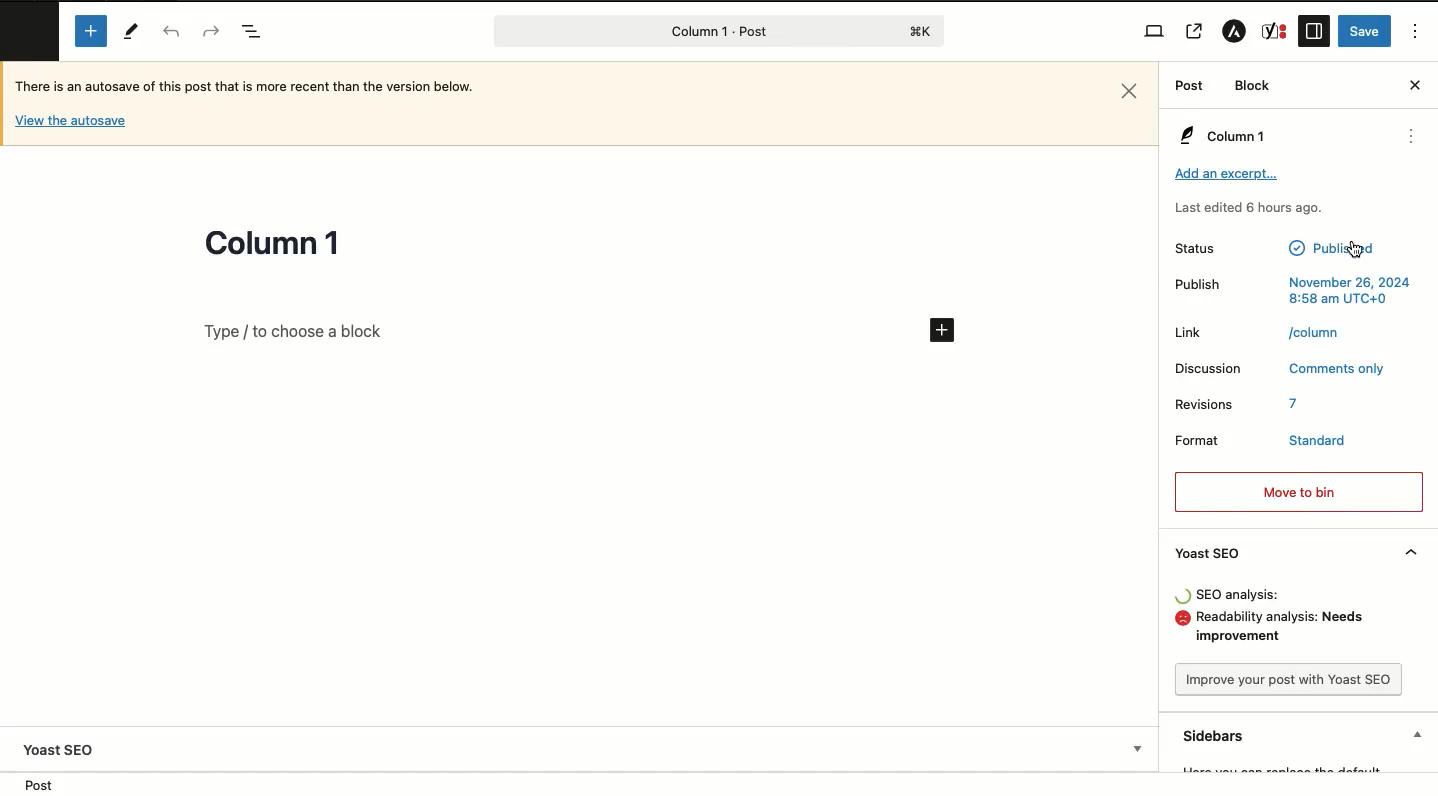 This screenshot has width=1438, height=796. I want to click on Add excerpt, so click(1228, 174).